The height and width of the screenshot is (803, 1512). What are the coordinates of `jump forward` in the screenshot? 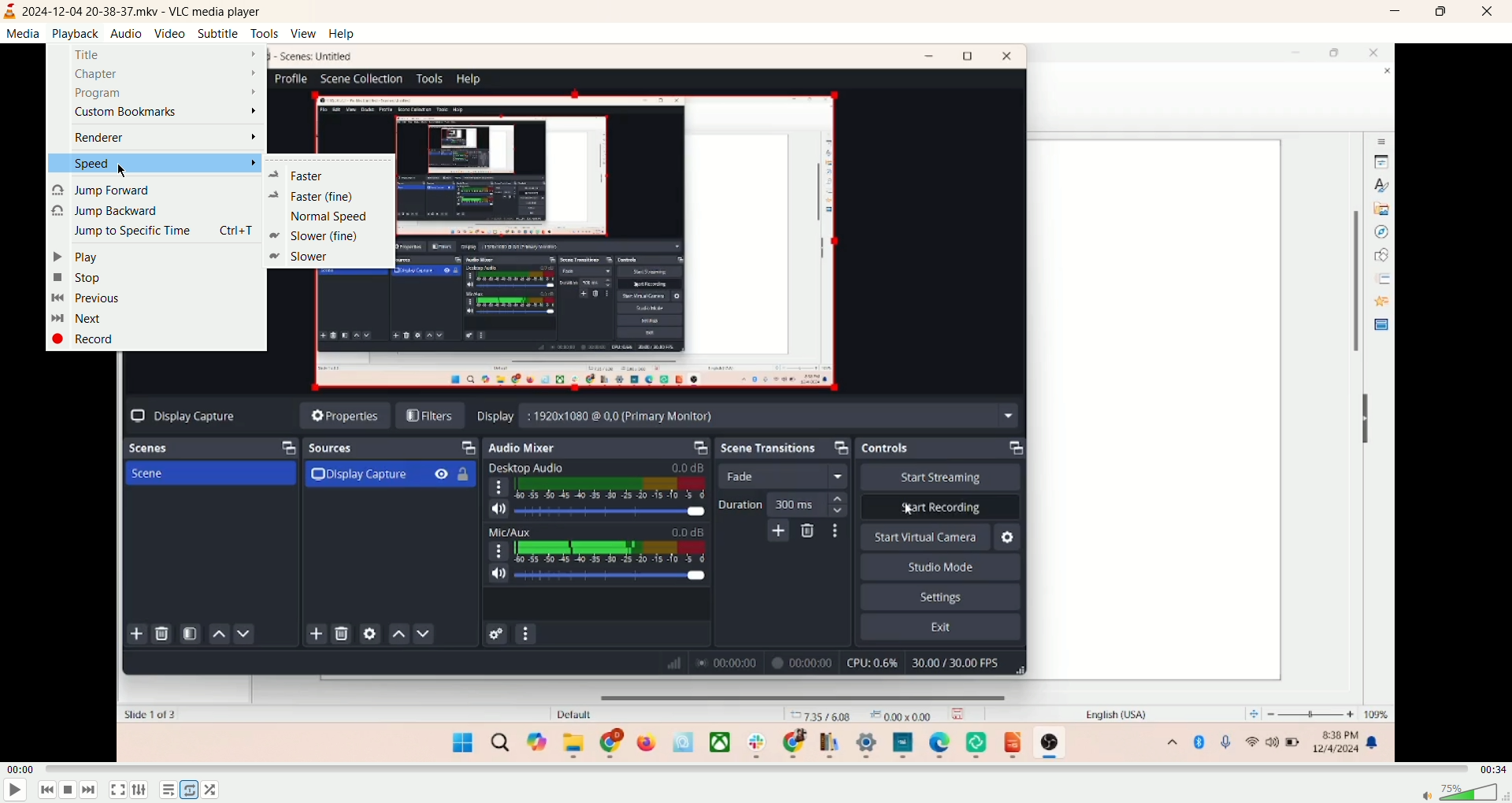 It's located at (103, 191).